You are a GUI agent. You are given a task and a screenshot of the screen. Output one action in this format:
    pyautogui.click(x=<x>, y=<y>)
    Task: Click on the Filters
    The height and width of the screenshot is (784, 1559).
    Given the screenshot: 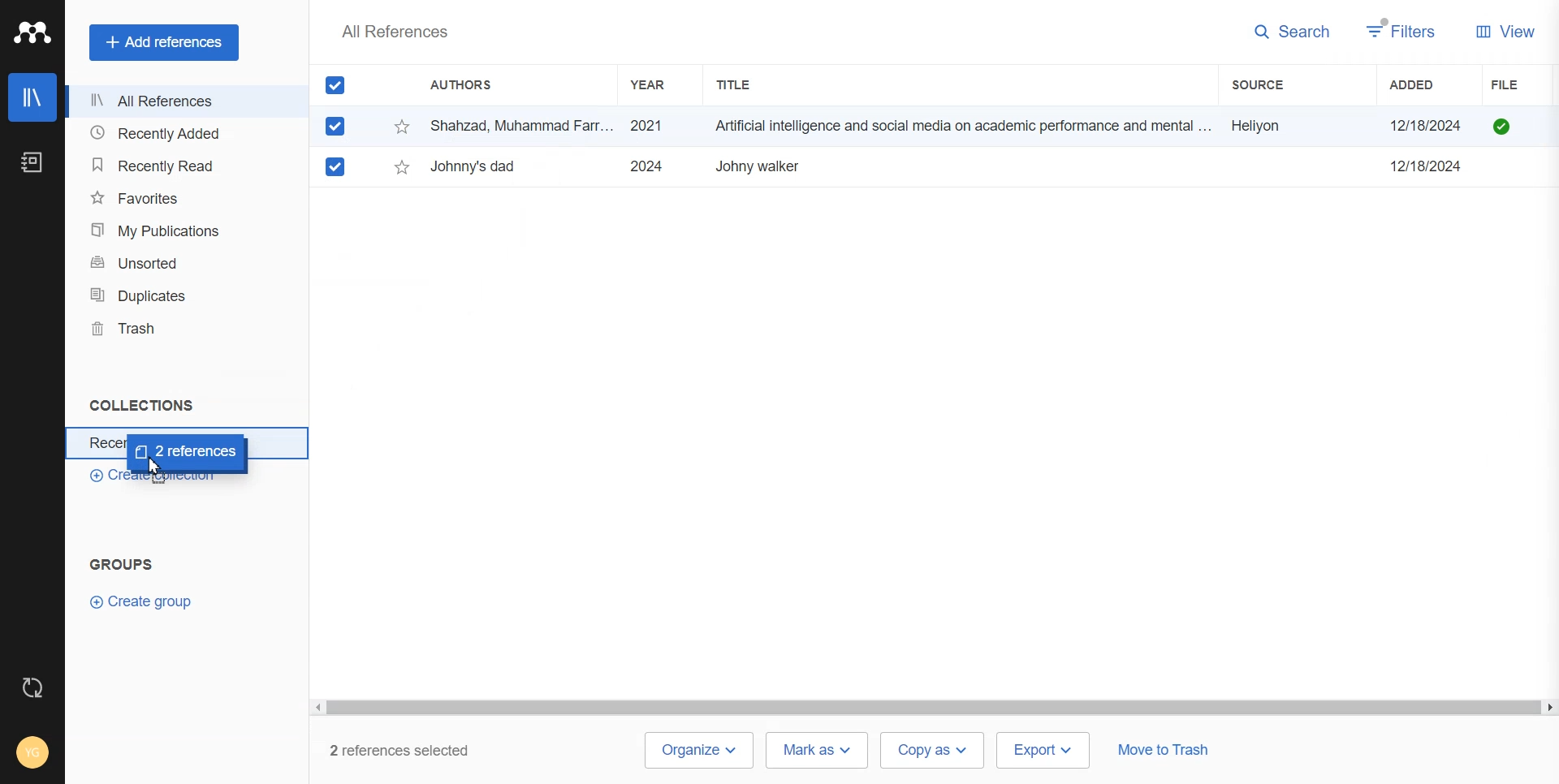 What is the action you would take?
    pyautogui.click(x=1402, y=31)
    